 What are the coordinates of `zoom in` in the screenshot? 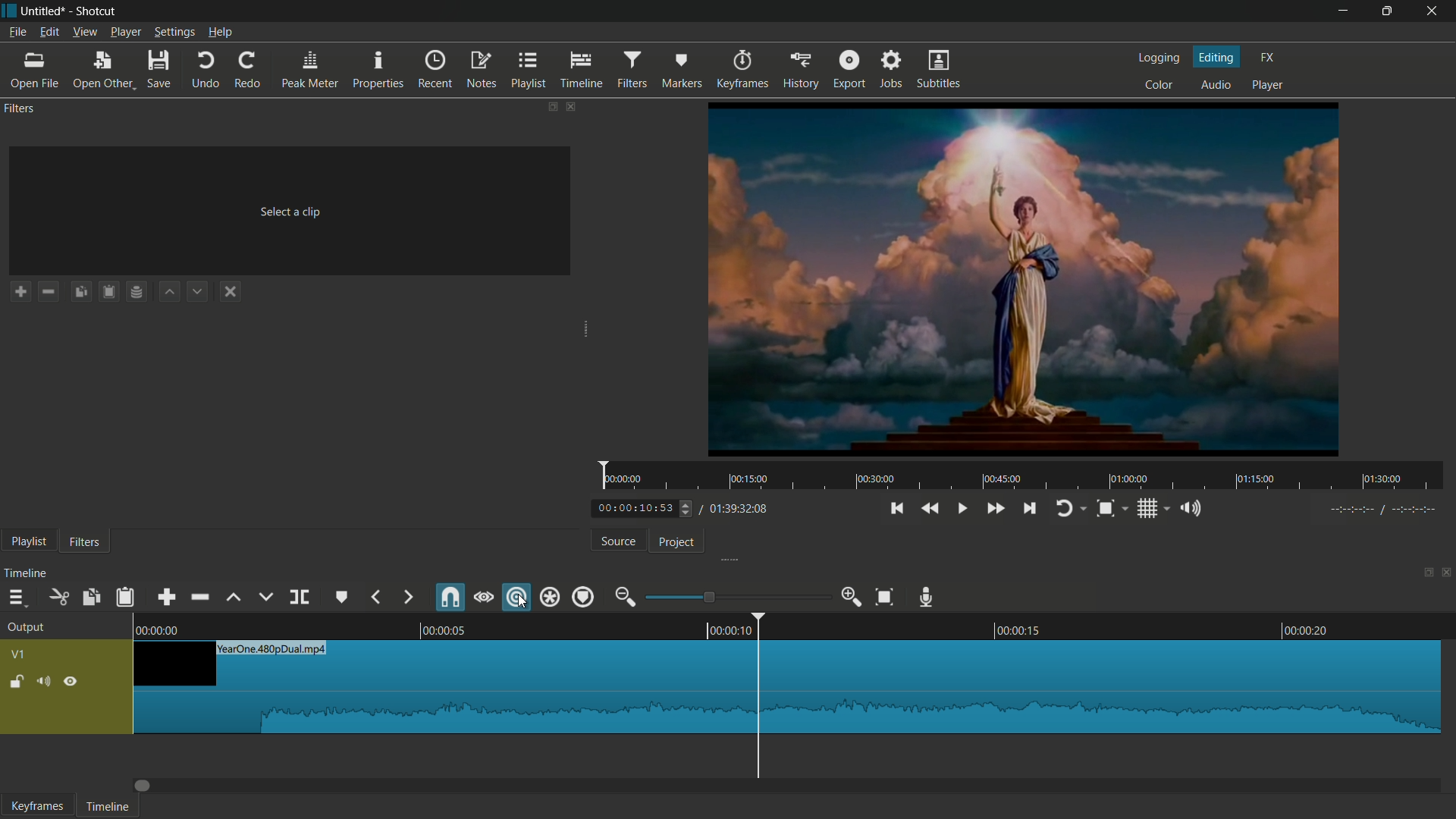 It's located at (852, 597).